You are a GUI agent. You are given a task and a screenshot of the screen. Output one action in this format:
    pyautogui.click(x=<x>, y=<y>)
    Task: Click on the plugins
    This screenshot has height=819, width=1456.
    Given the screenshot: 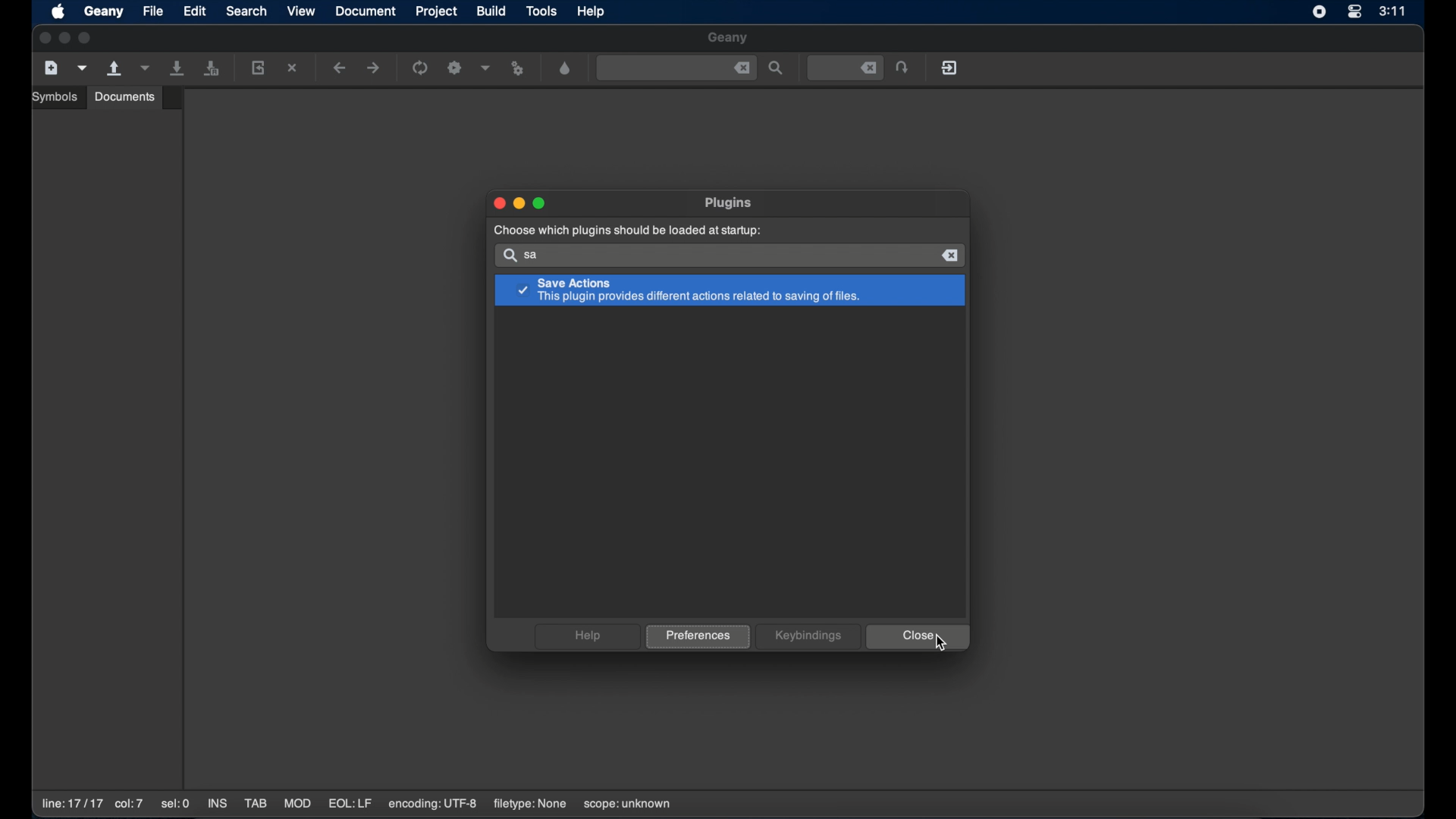 What is the action you would take?
    pyautogui.click(x=730, y=202)
    